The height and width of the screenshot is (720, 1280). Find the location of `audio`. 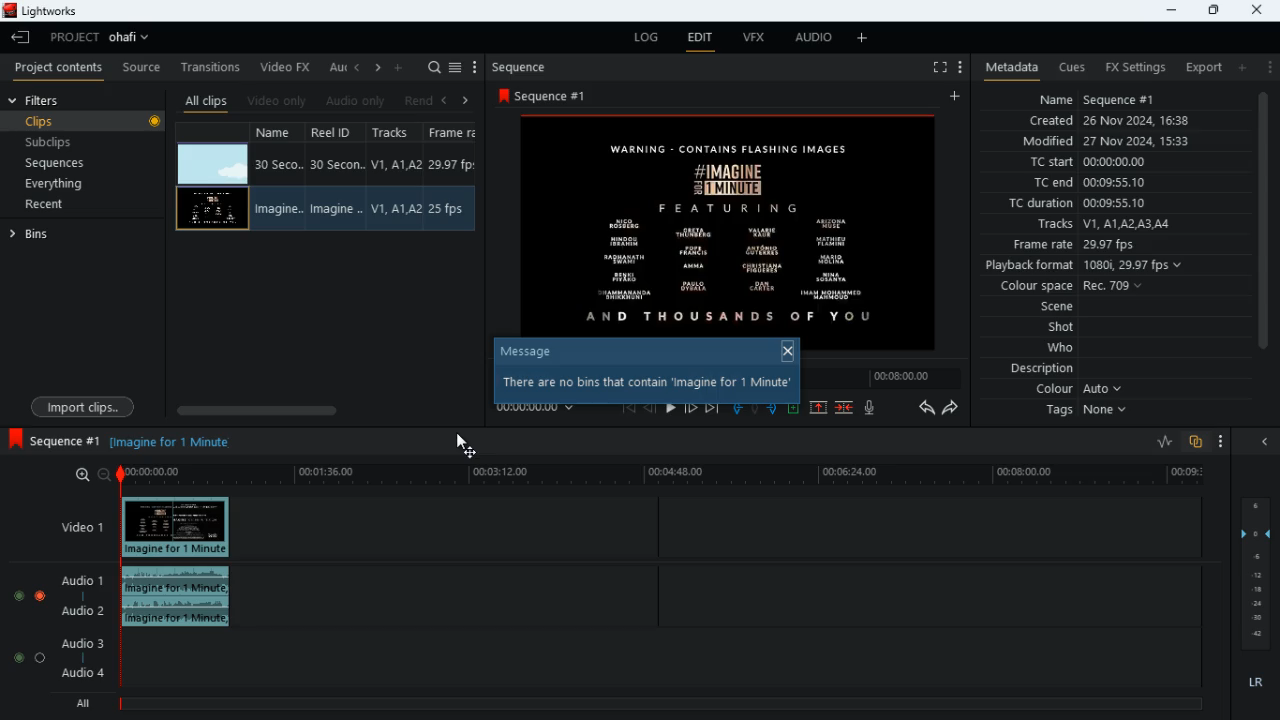

audio is located at coordinates (814, 40).